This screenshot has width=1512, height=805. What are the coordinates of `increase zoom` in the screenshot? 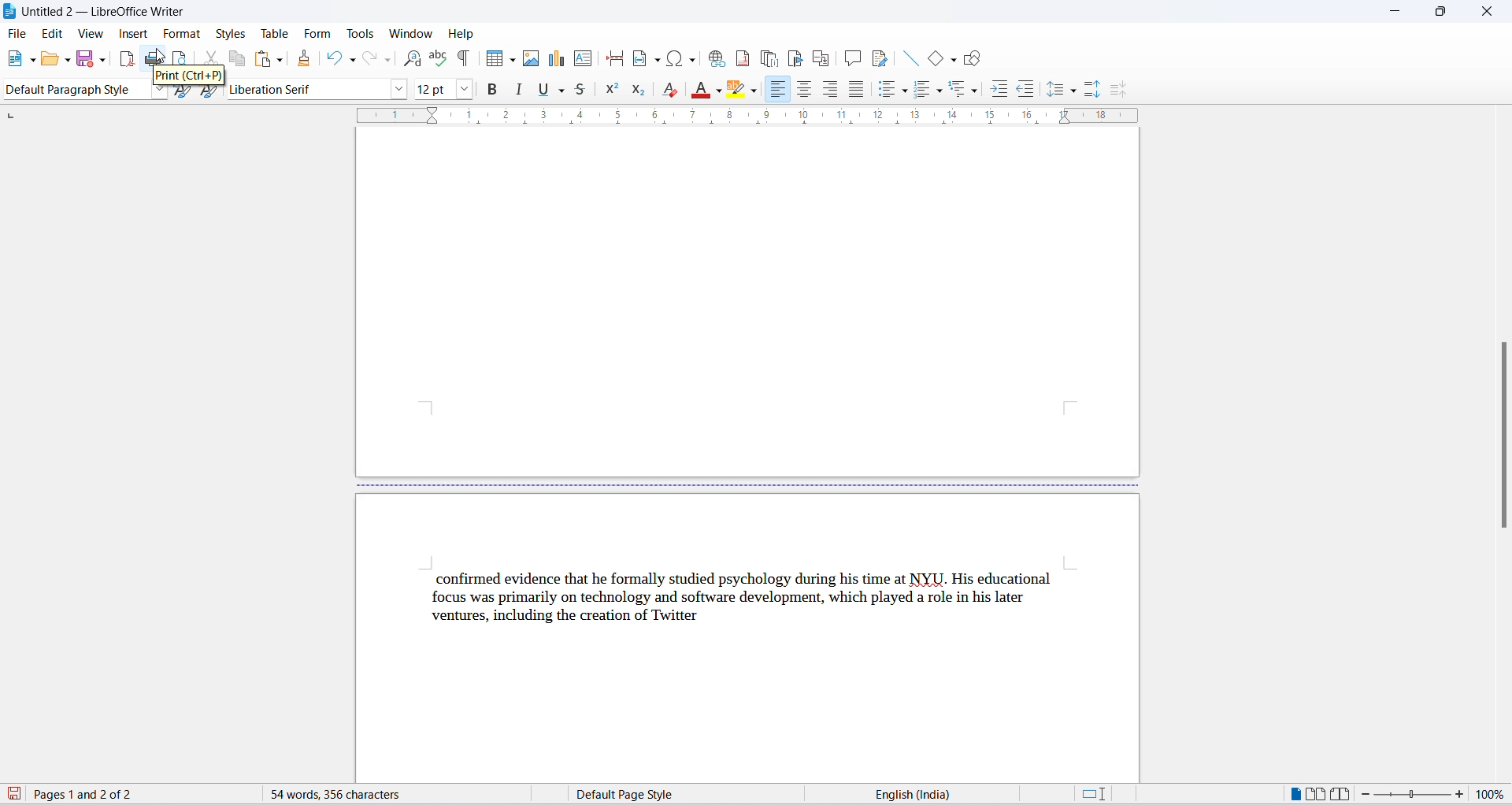 It's located at (1463, 797).